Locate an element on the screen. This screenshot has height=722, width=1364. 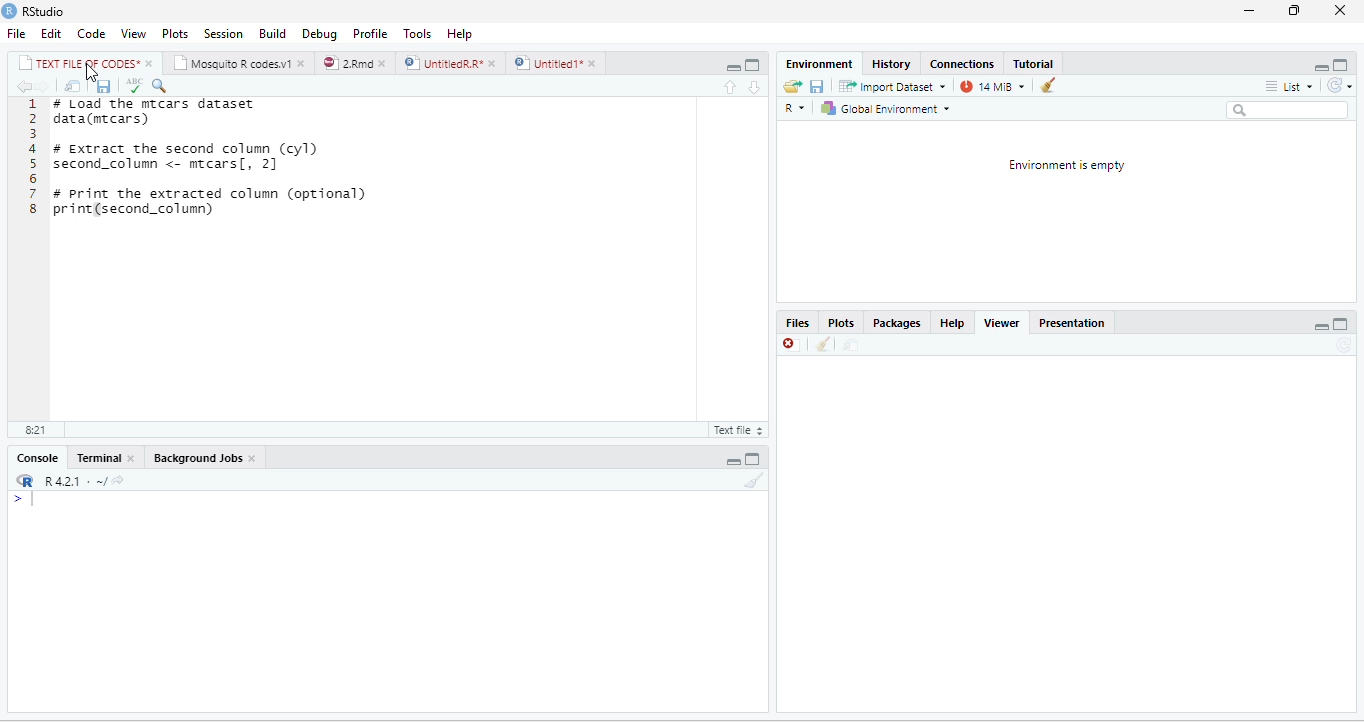
Terminal is located at coordinates (97, 459).